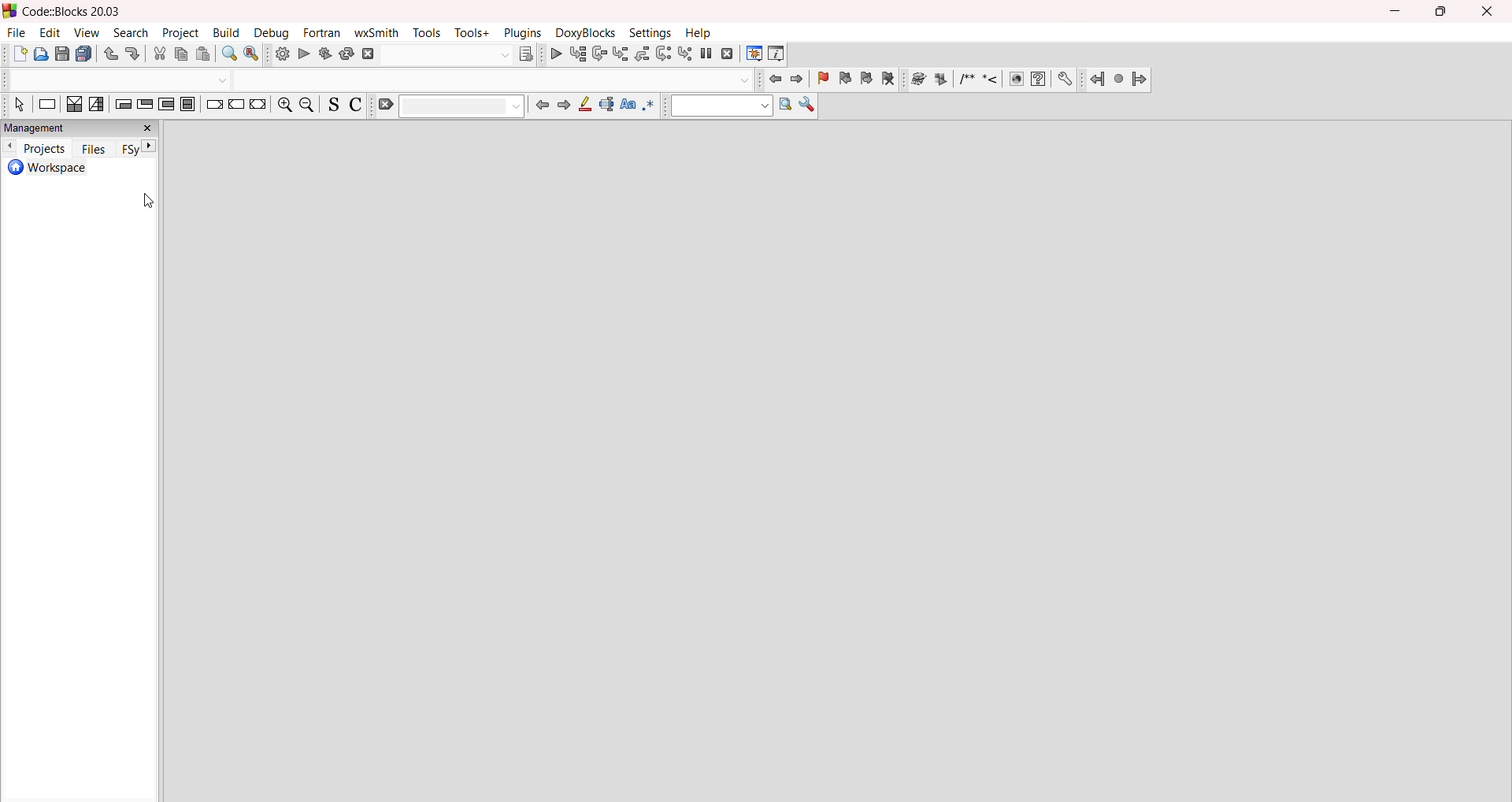 Image resolution: width=1512 pixels, height=802 pixels. What do you see at coordinates (309, 106) in the screenshot?
I see `zoom out` at bounding box center [309, 106].